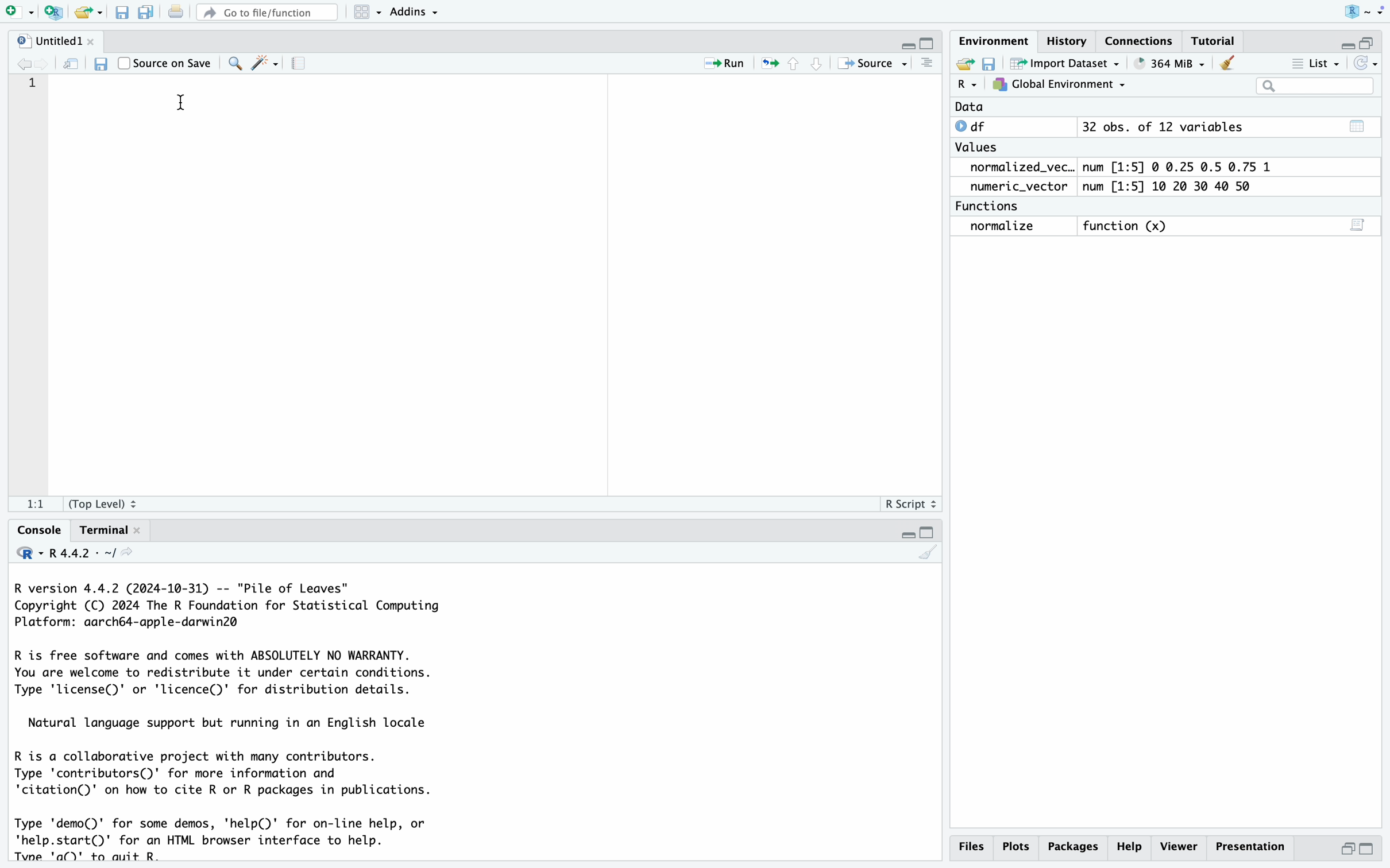 This screenshot has width=1390, height=868. What do you see at coordinates (970, 107) in the screenshot?
I see `Data` at bounding box center [970, 107].